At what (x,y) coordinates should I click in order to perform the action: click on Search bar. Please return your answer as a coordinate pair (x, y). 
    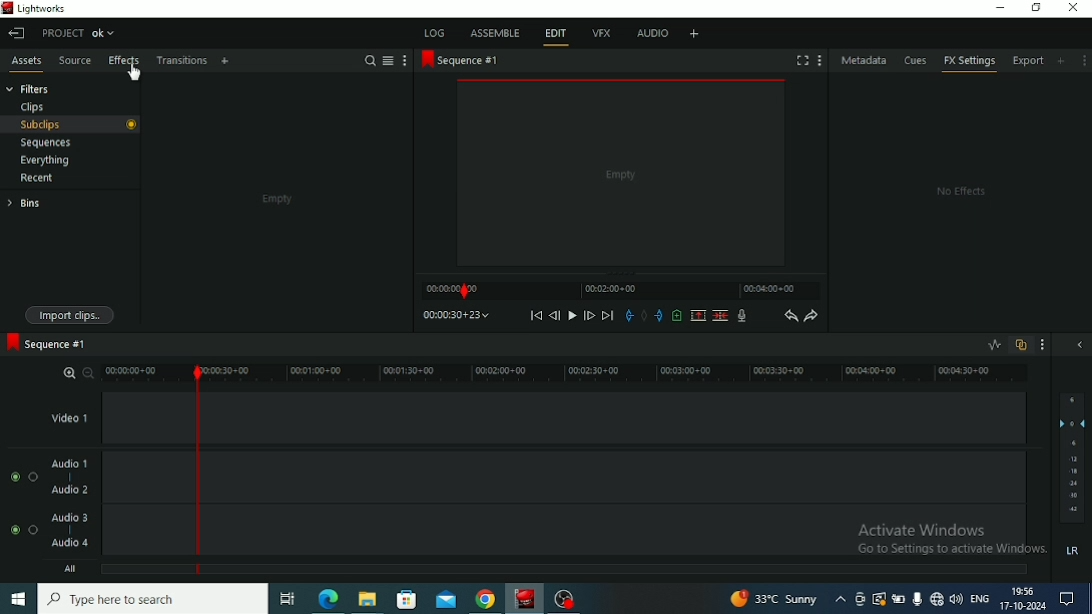
    Looking at the image, I should click on (156, 599).